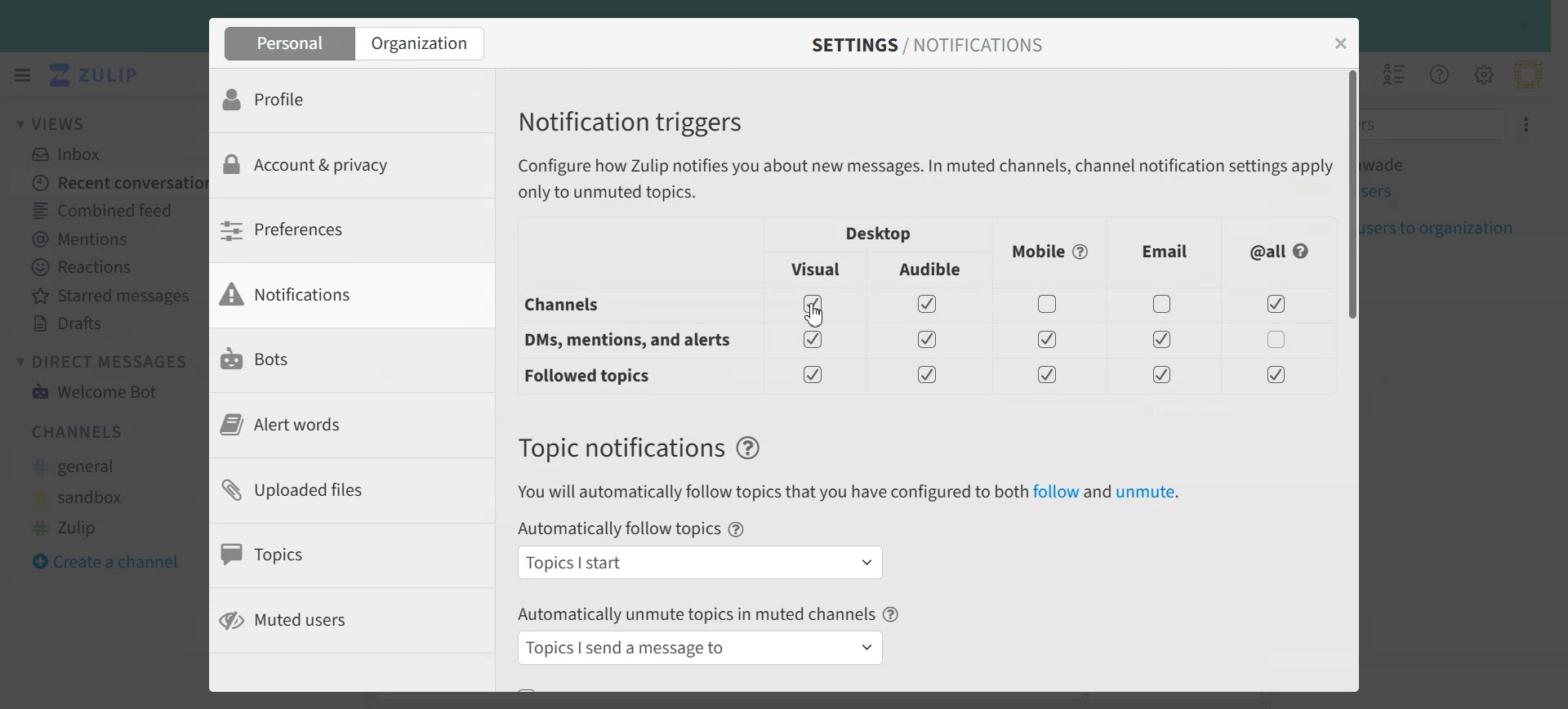  I want to click on Recent conversation, so click(109, 181).